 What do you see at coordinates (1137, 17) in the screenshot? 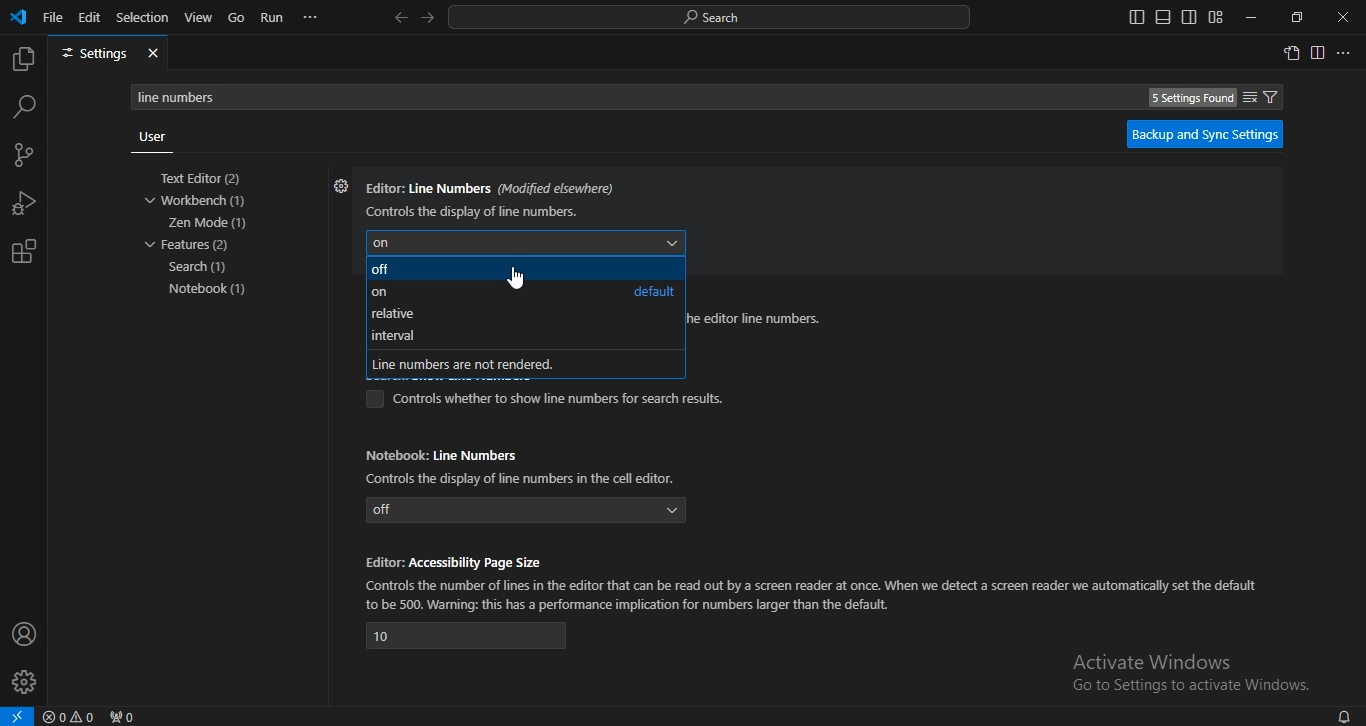
I see `toggle primary sidebar` at bounding box center [1137, 17].